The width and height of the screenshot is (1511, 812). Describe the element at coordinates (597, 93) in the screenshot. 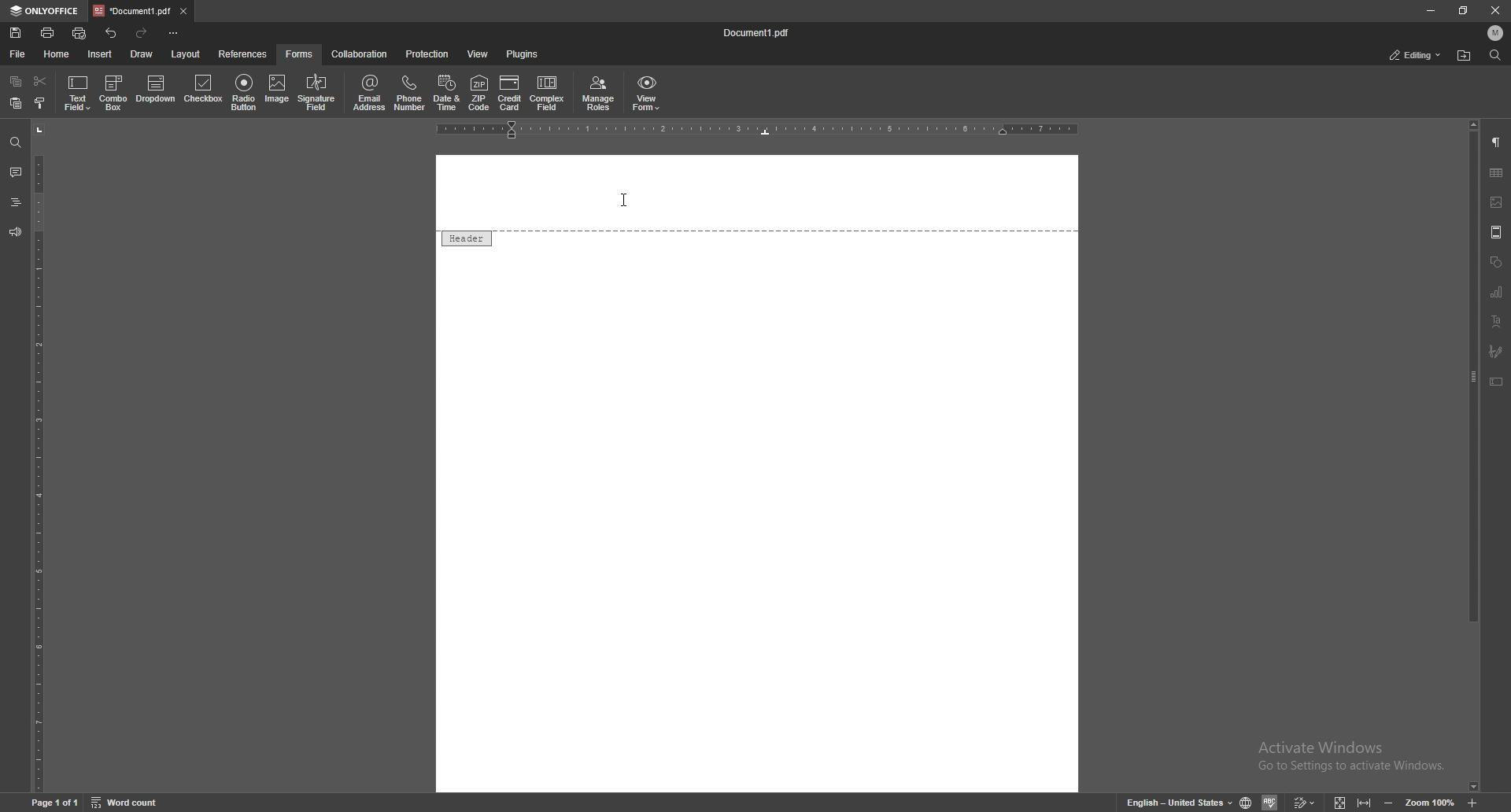

I see `manage roles` at that location.